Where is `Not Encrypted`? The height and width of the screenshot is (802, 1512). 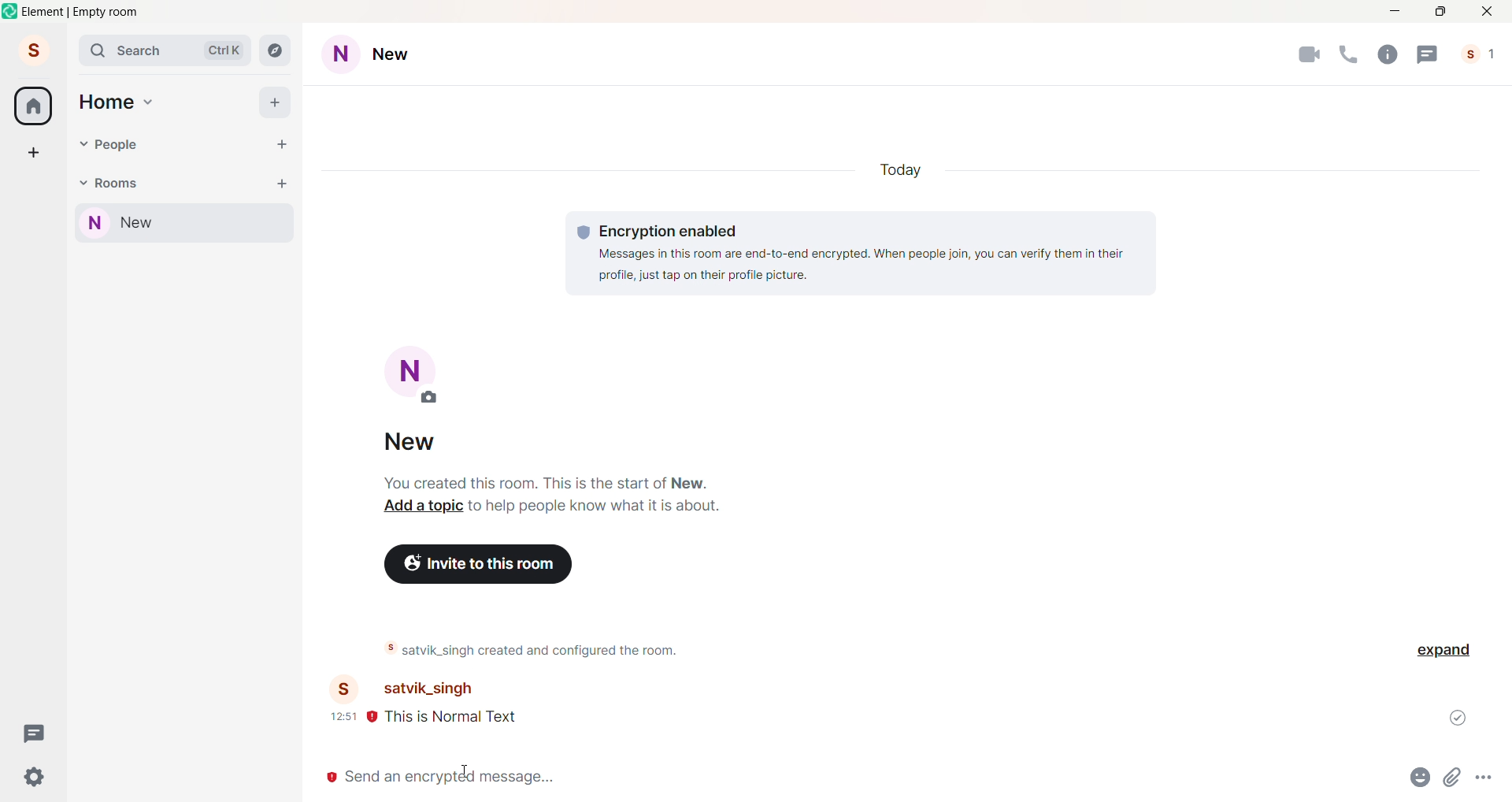 Not Encrypted is located at coordinates (329, 778).